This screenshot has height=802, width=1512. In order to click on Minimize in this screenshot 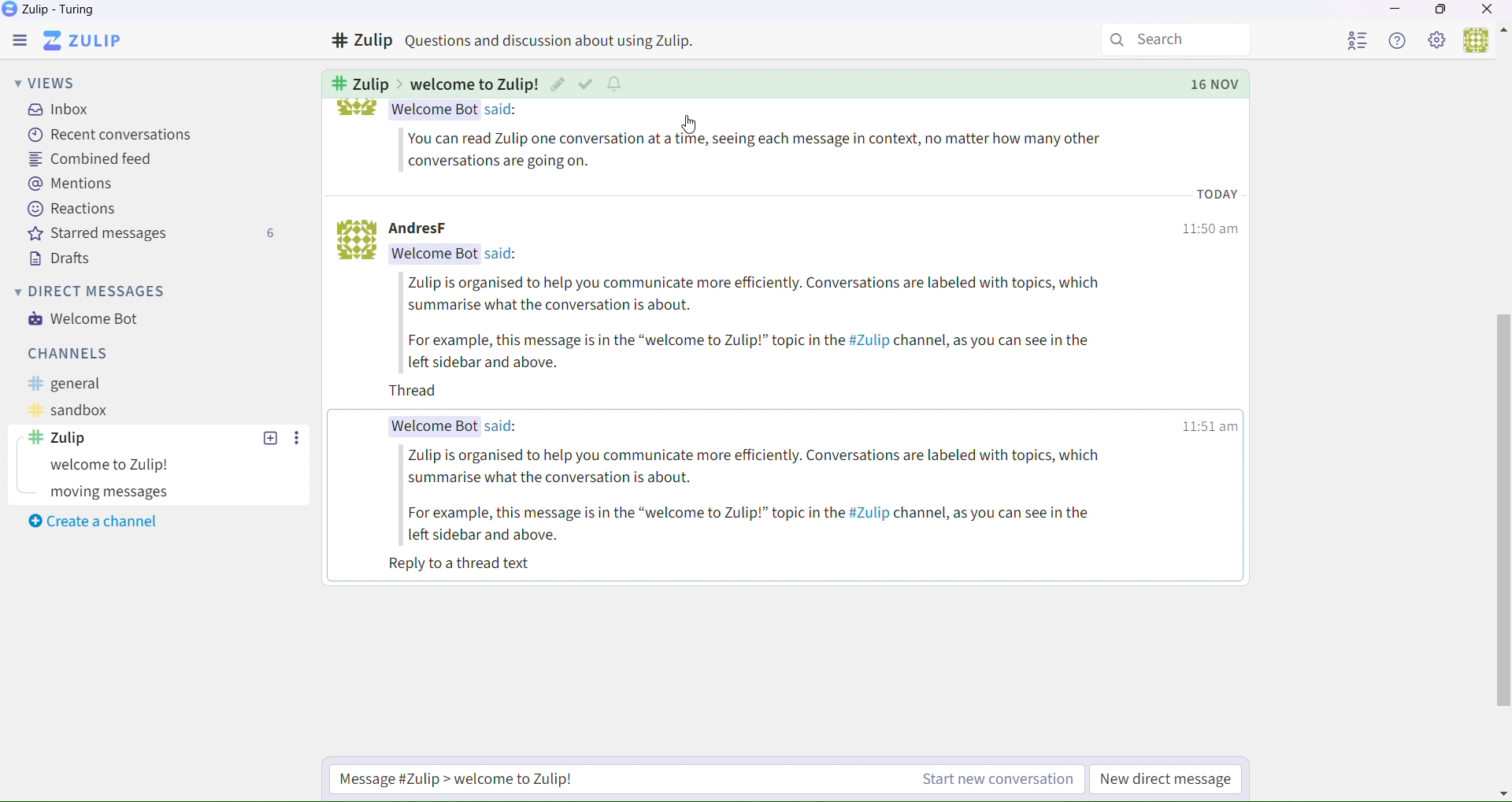, I will do `click(1395, 12)`.